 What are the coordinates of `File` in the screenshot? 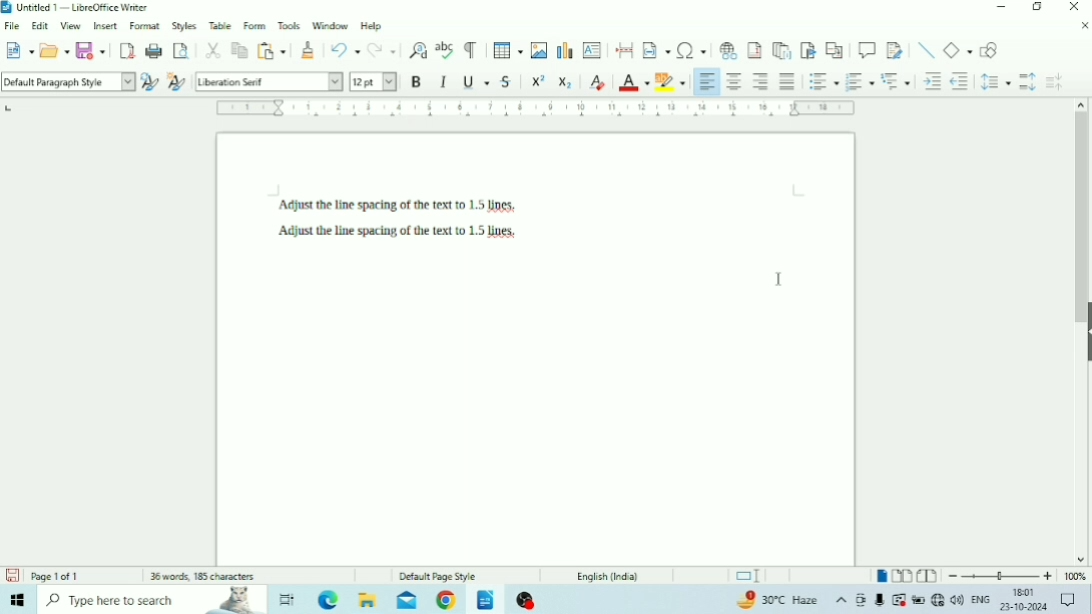 It's located at (12, 26).